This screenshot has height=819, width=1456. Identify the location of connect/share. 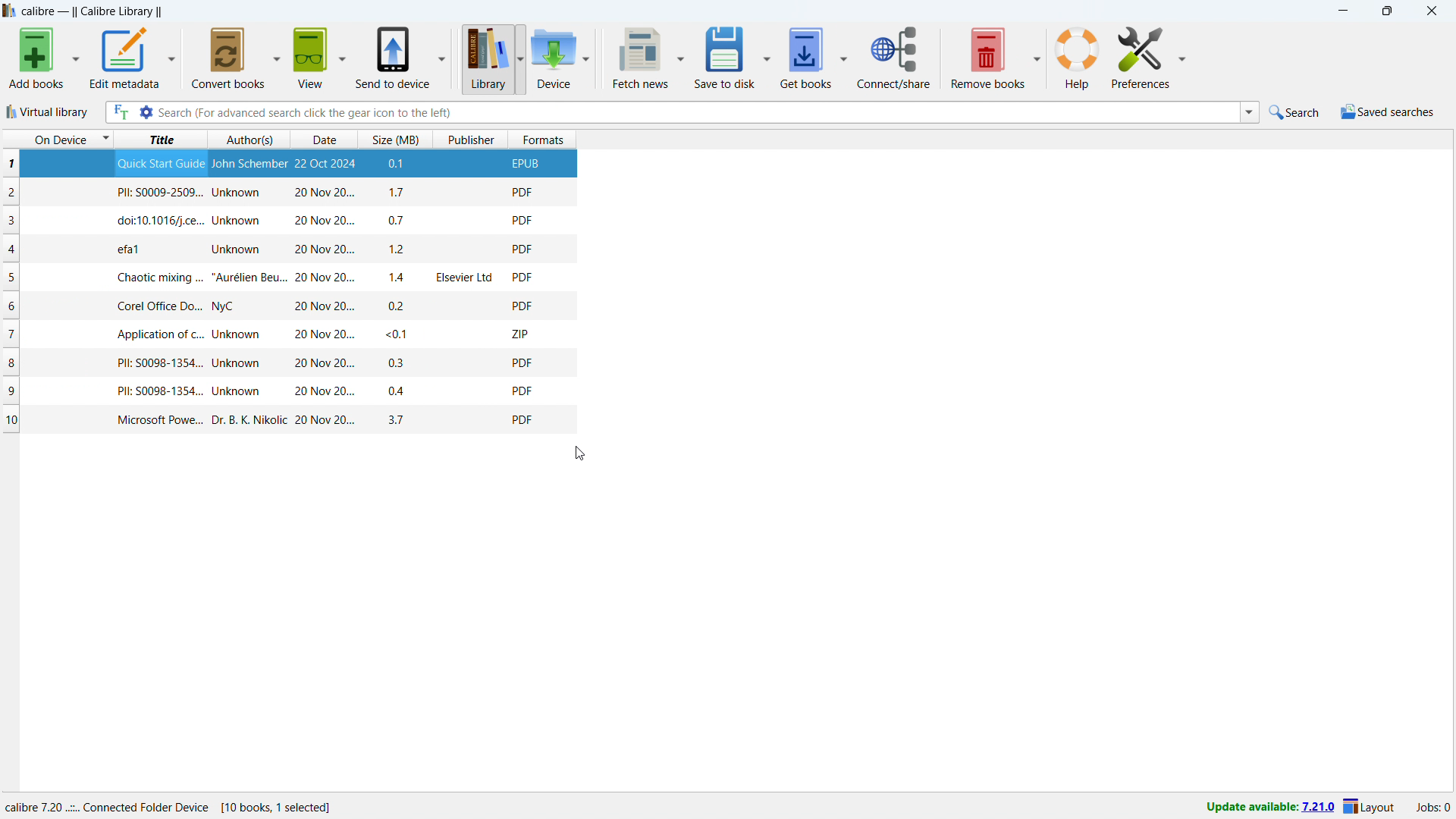
(896, 57).